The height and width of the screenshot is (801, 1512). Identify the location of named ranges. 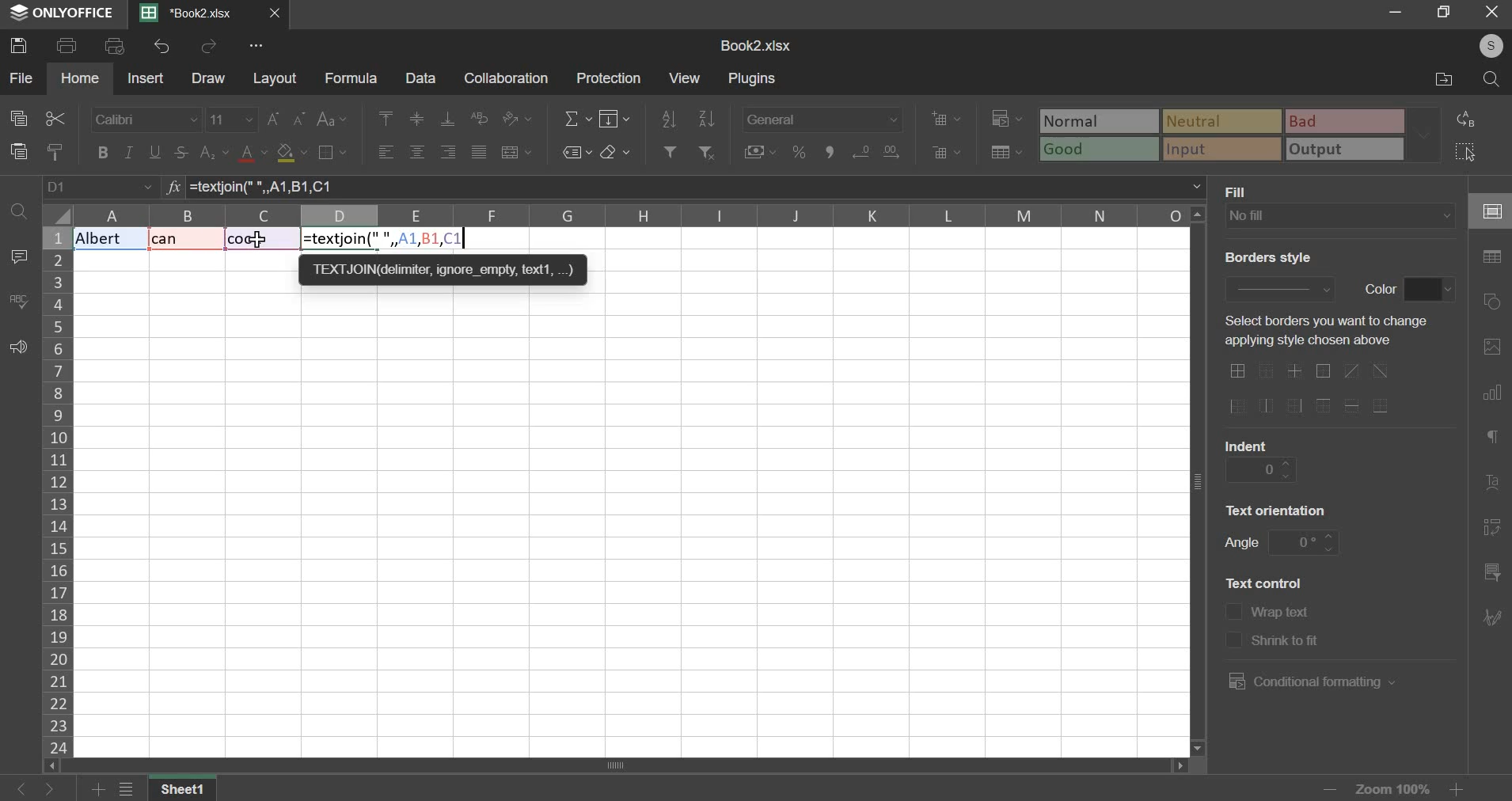
(576, 152).